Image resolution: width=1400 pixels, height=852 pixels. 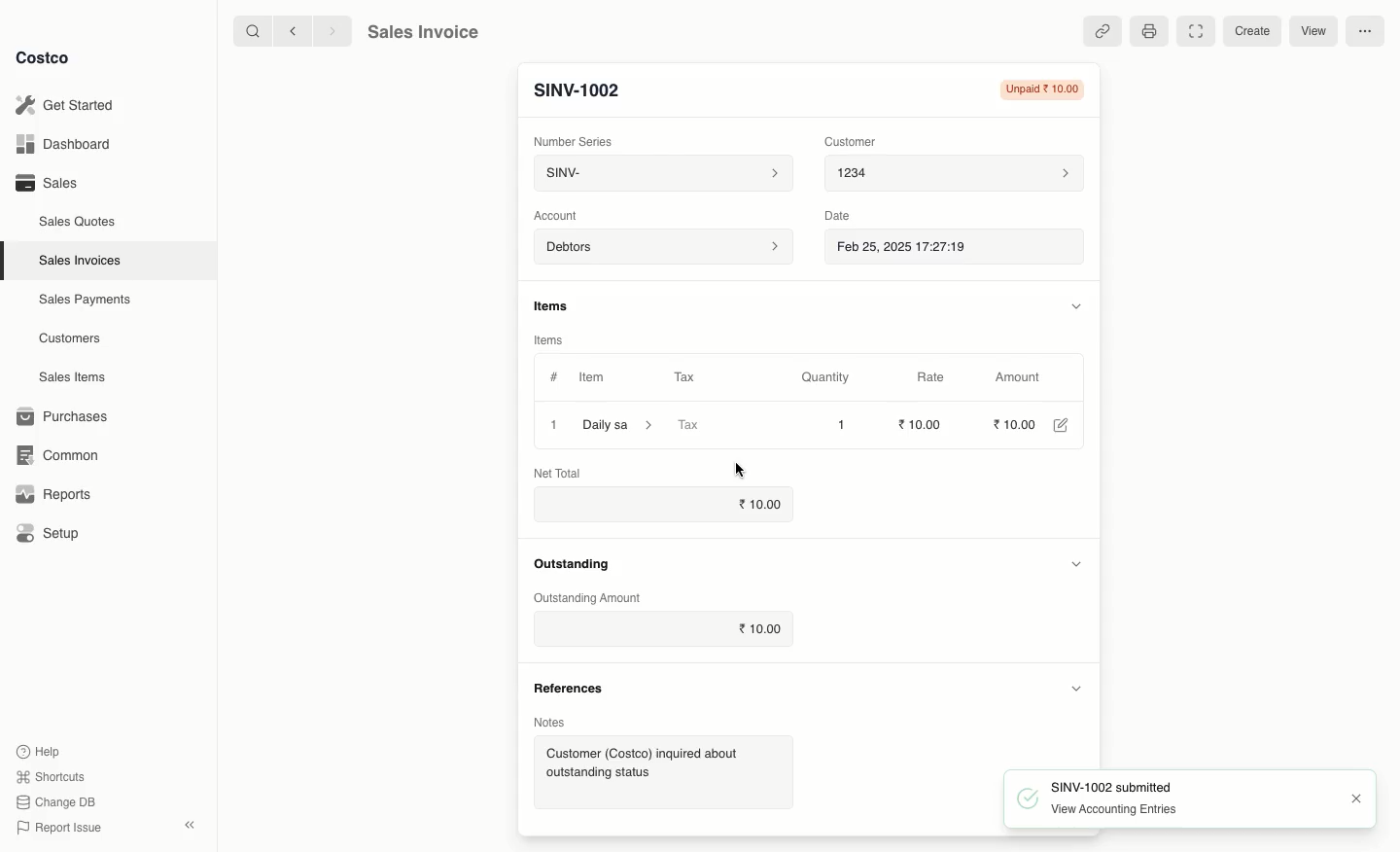 I want to click on Notes, so click(x=556, y=724).